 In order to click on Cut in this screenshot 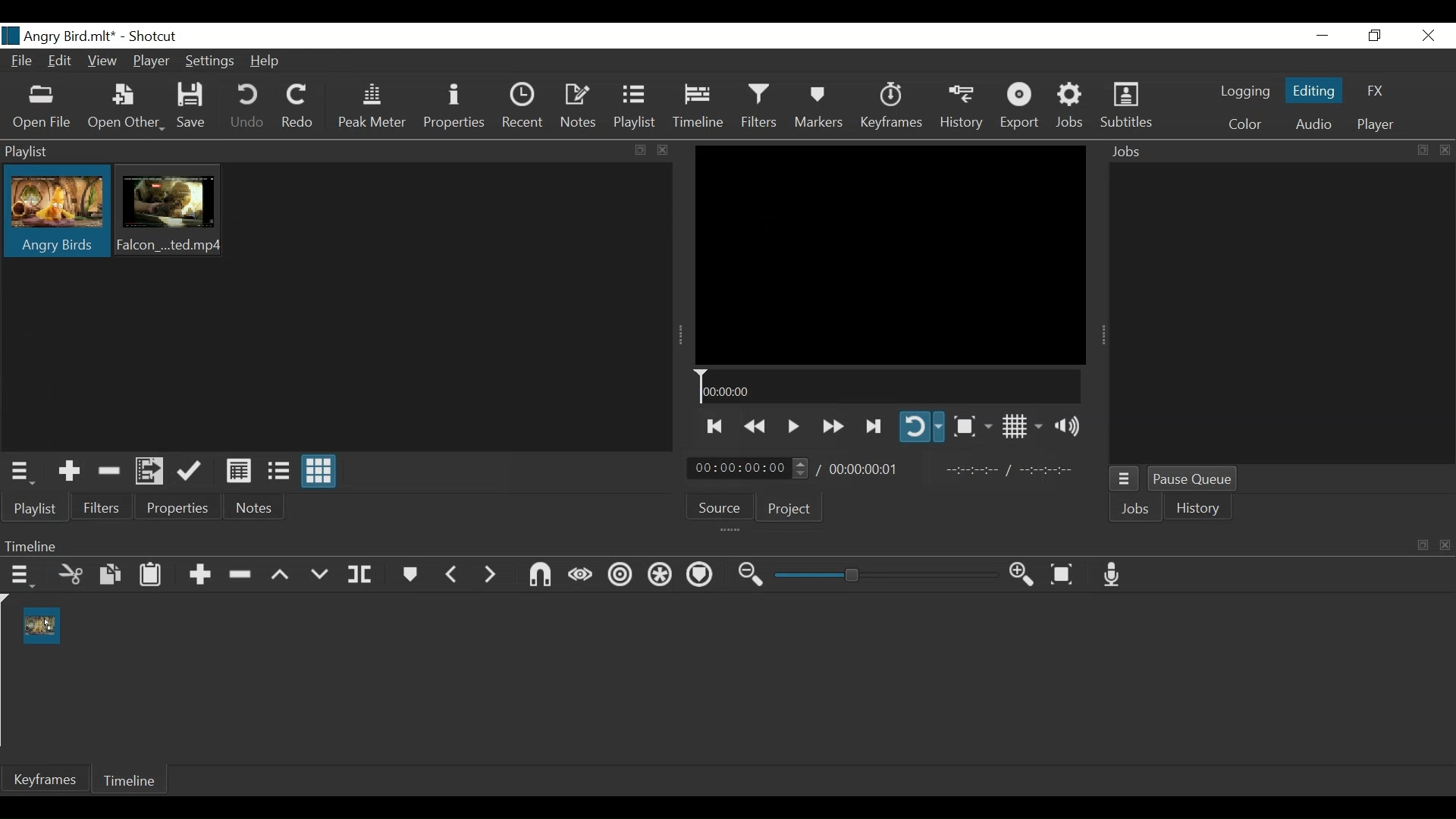, I will do `click(71, 574)`.